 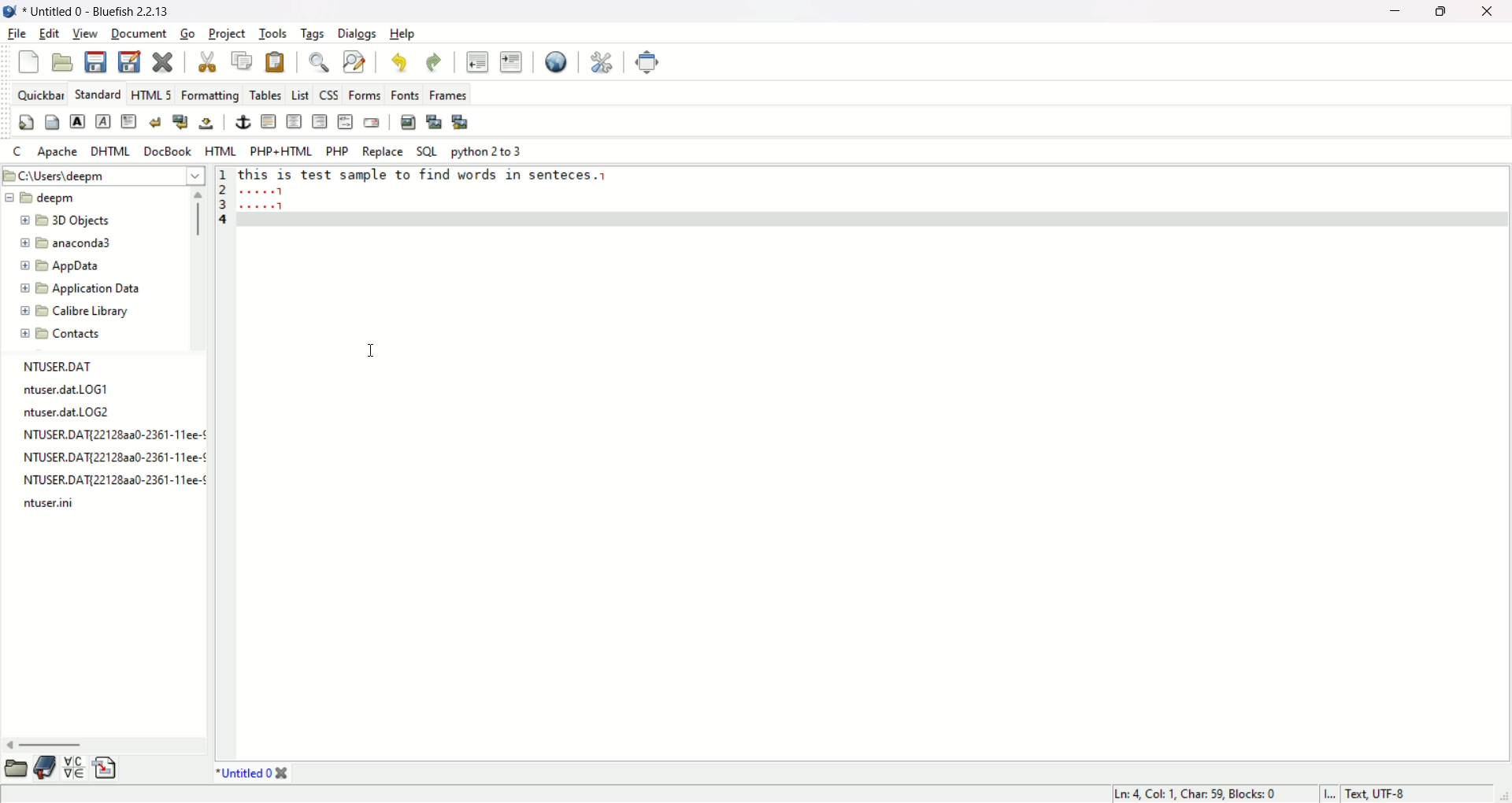 What do you see at coordinates (262, 198) in the screenshot?
I see `Indicates there's more to the sentence` at bounding box center [262, 198].